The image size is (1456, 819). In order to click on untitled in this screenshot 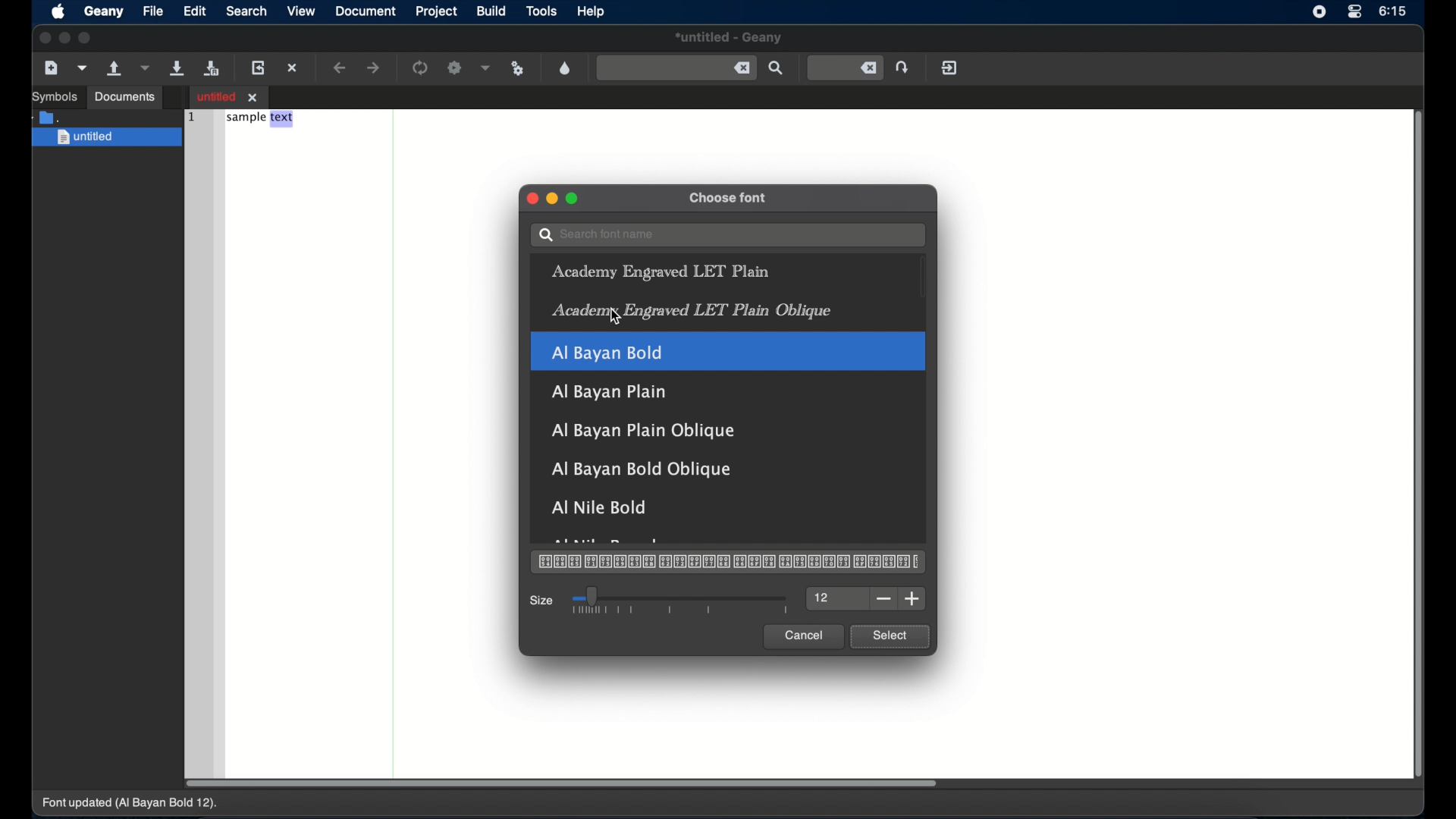, I will do `click(108, 138)`.